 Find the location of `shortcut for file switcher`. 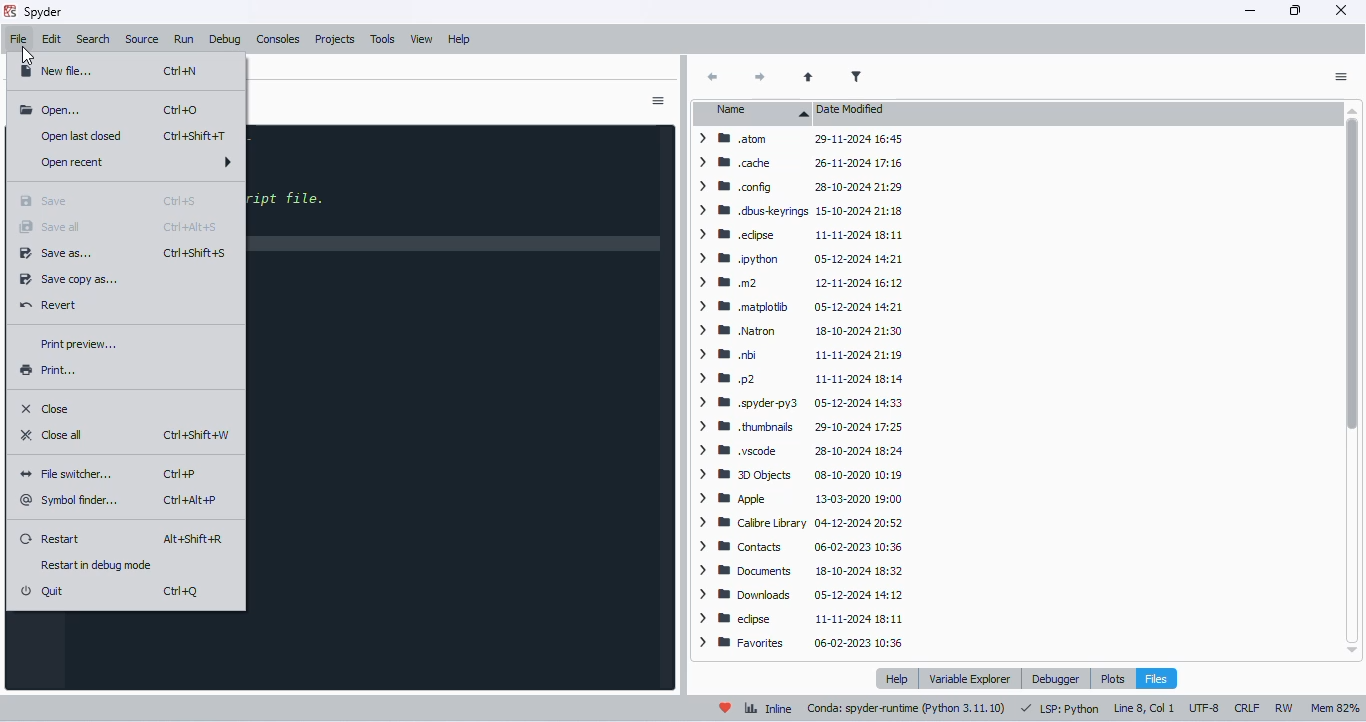

shortcut for file switcher is located at coordinates (179, 473).